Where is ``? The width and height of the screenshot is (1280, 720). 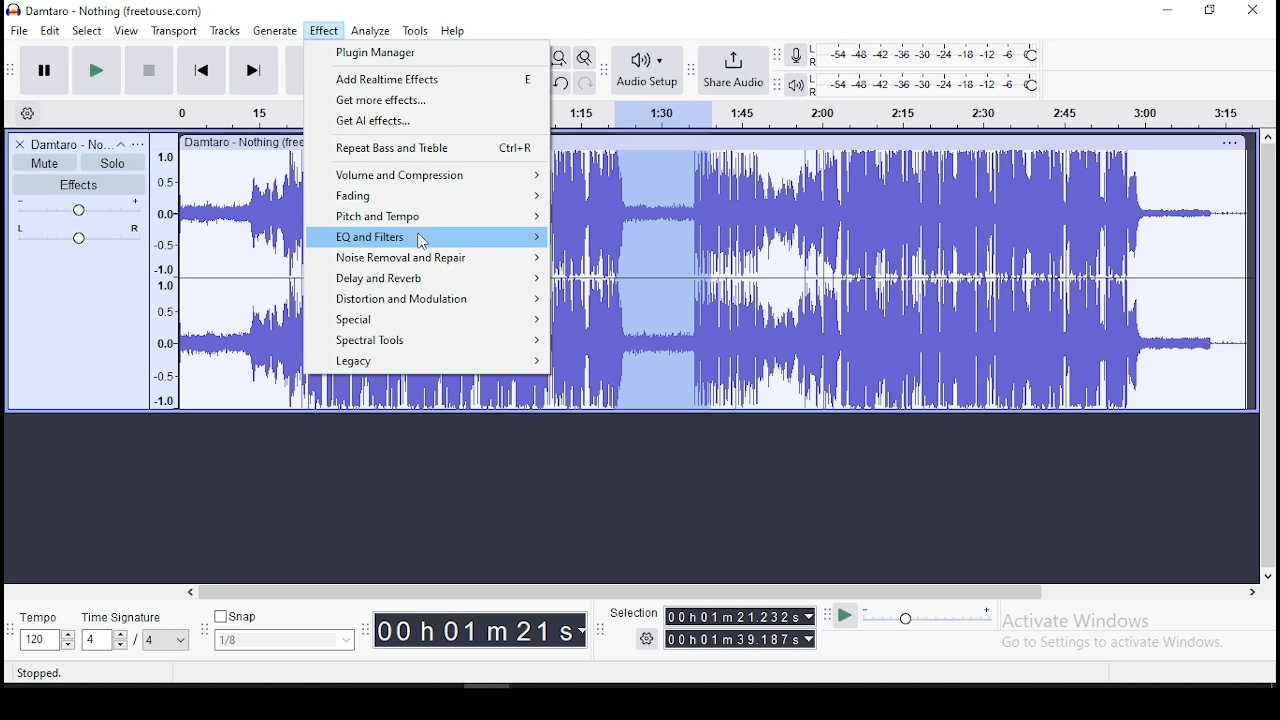
 is located at coordinates (601, 630).